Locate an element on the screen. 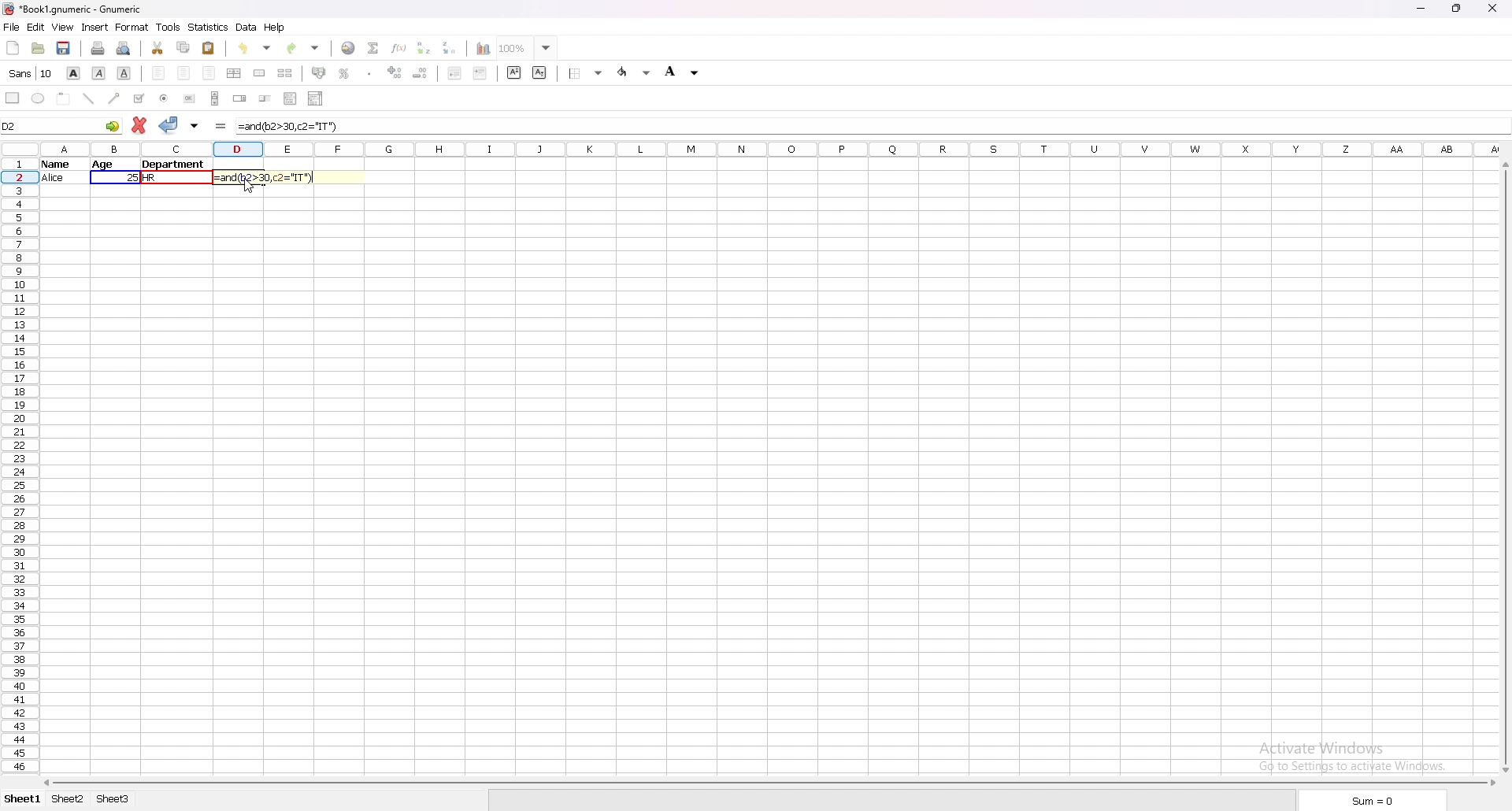 The width and height of the screenshot is (1512, 811). file name is located at coordinates (75, 9).